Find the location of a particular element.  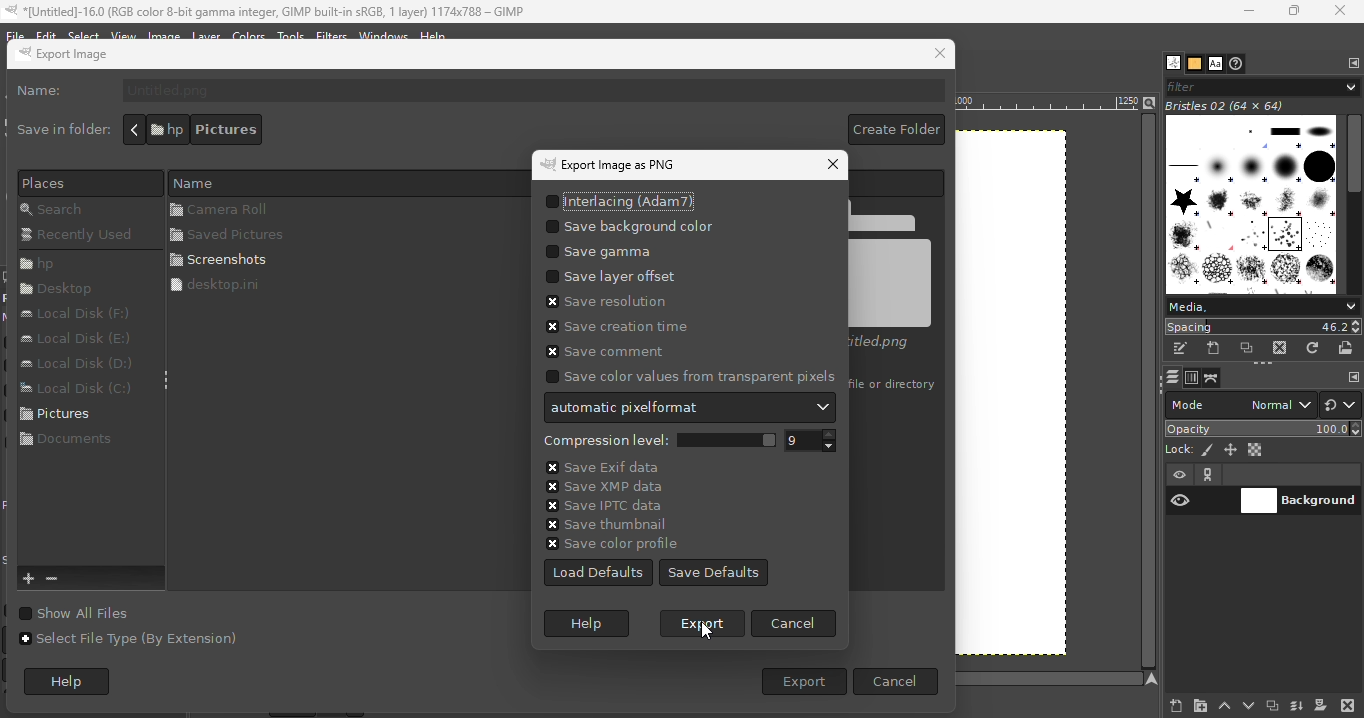

search is located at coordinates (75, 209).